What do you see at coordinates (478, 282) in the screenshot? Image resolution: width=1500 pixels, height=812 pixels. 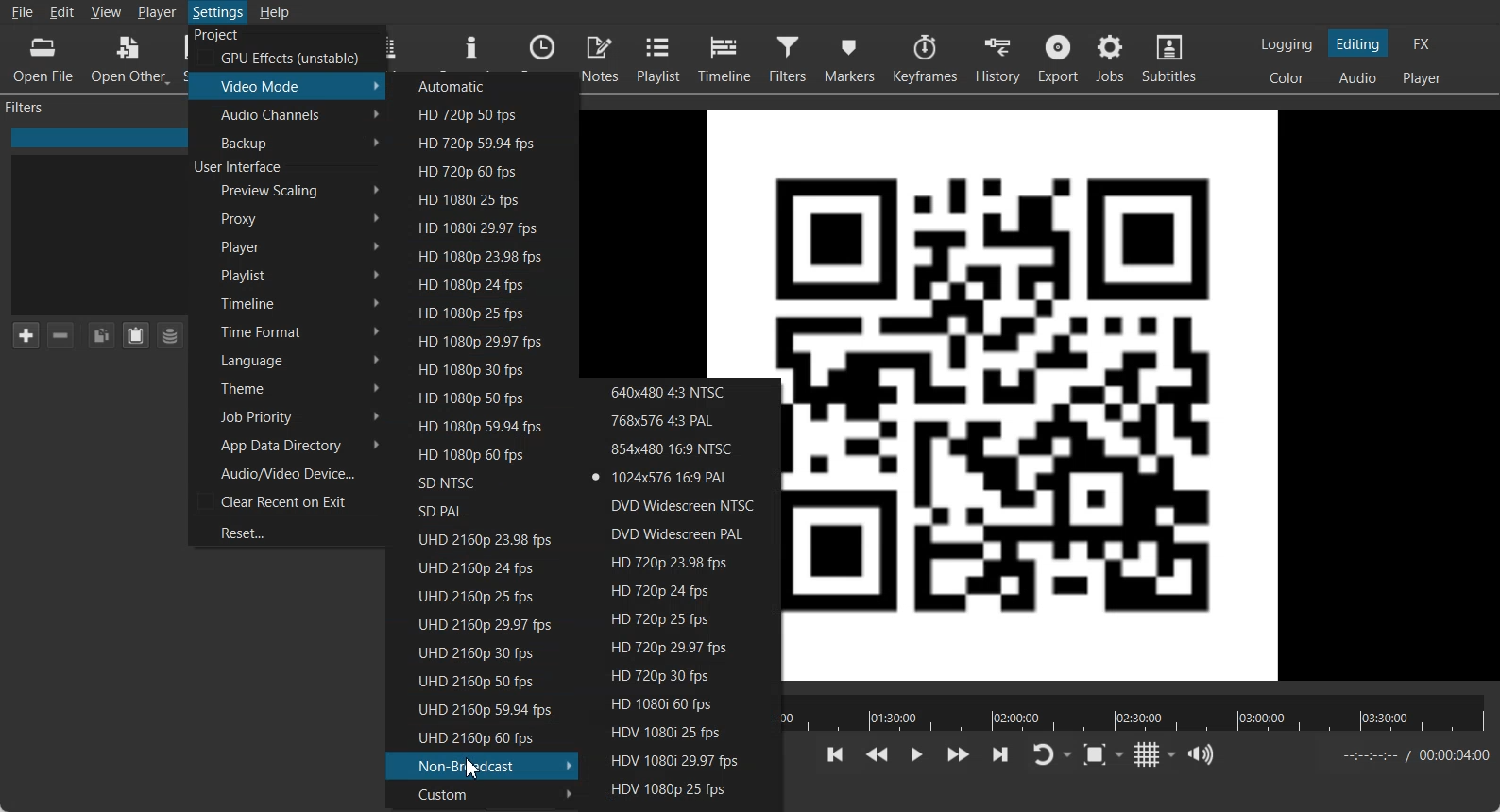 I see `HD 1080p 24 fps` at bounding box center [478, 282].